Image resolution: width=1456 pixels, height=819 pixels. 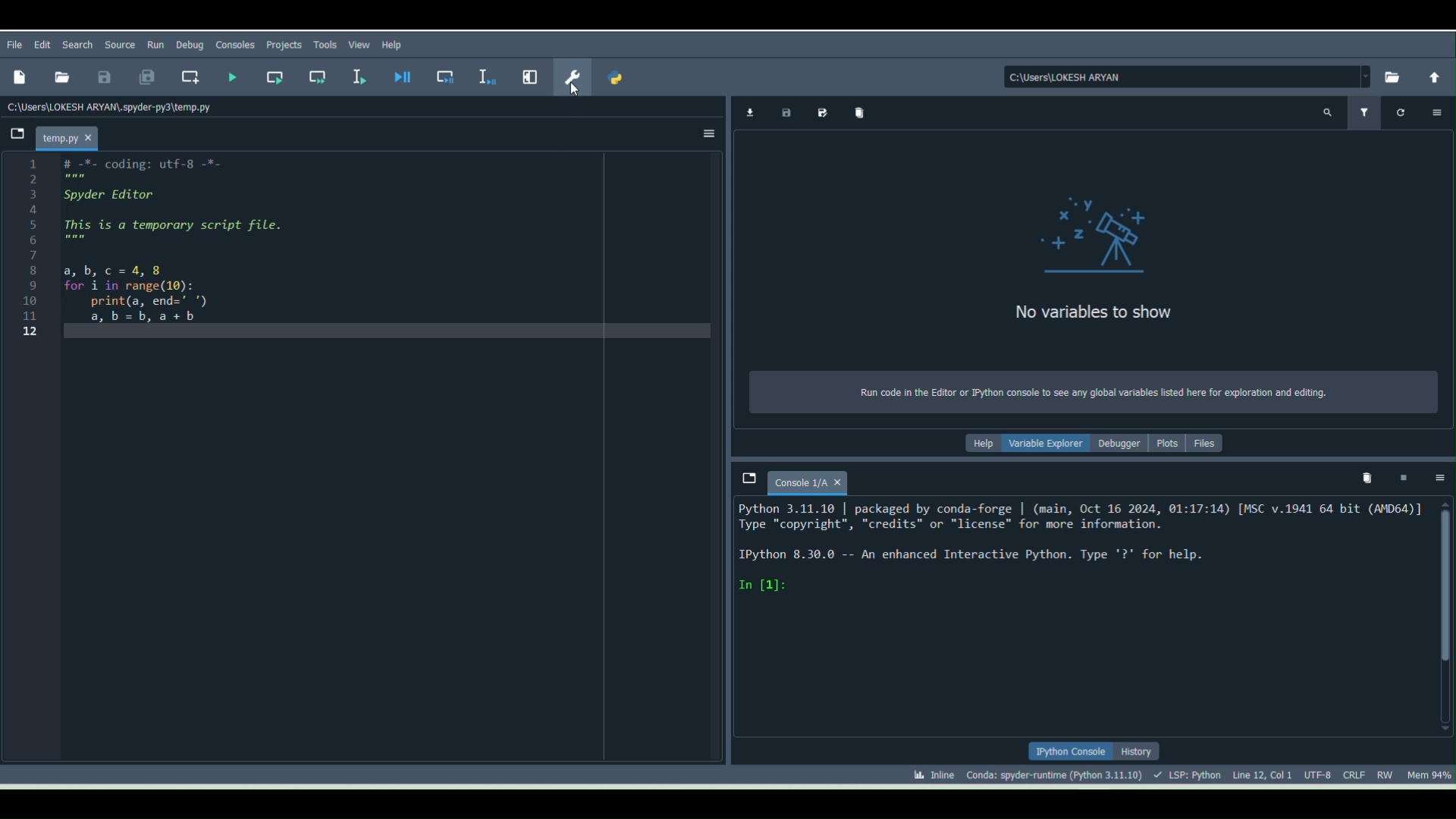 What do you see at coordinates (1188, 77) in the screenshot?
I see `File path` at bounding box center [1188, 77].